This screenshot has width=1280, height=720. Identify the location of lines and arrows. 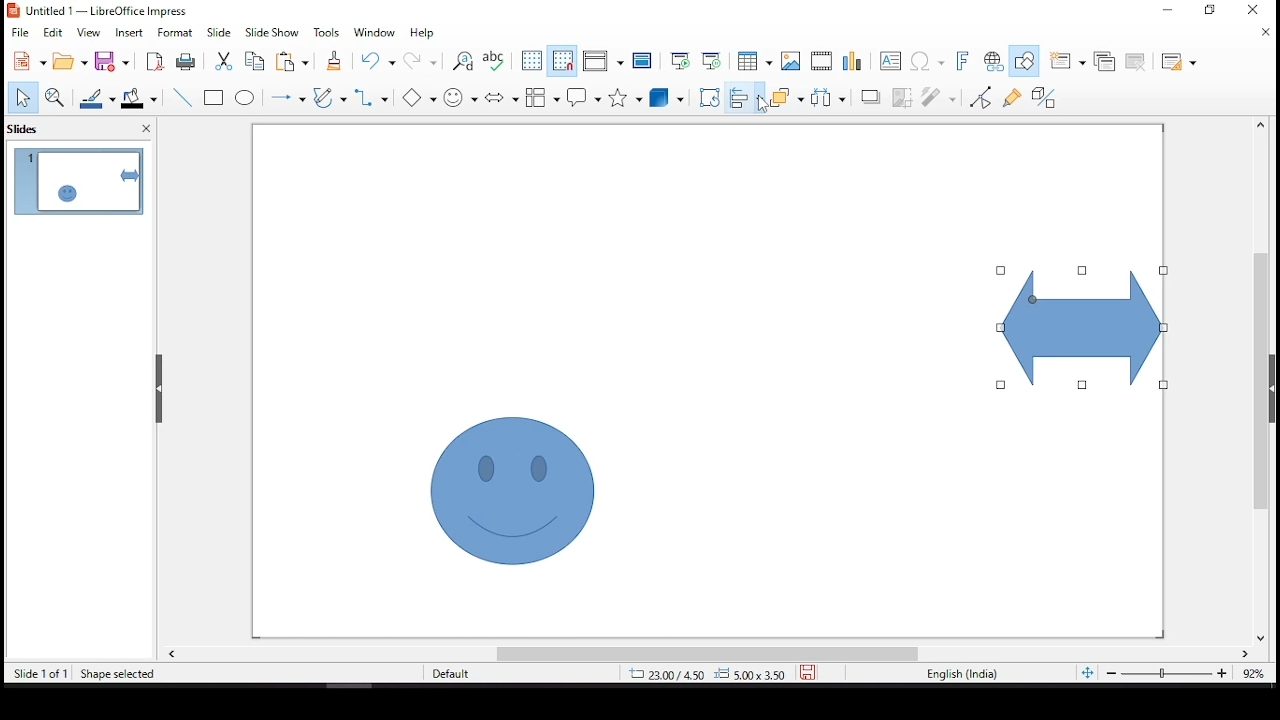
(287, 97).